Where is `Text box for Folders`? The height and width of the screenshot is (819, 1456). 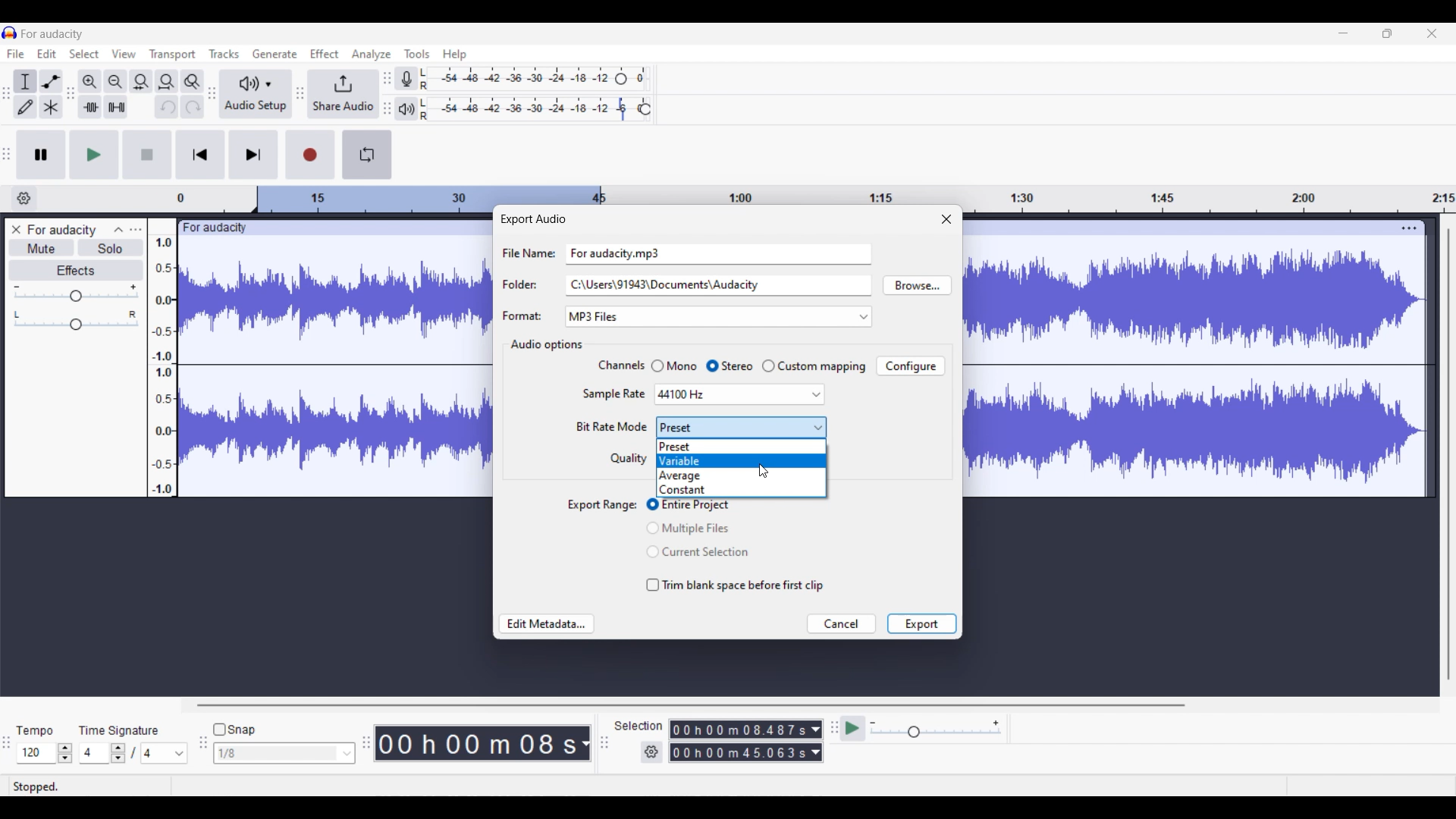 Text box for Folders is located at coordinates (717, 284).